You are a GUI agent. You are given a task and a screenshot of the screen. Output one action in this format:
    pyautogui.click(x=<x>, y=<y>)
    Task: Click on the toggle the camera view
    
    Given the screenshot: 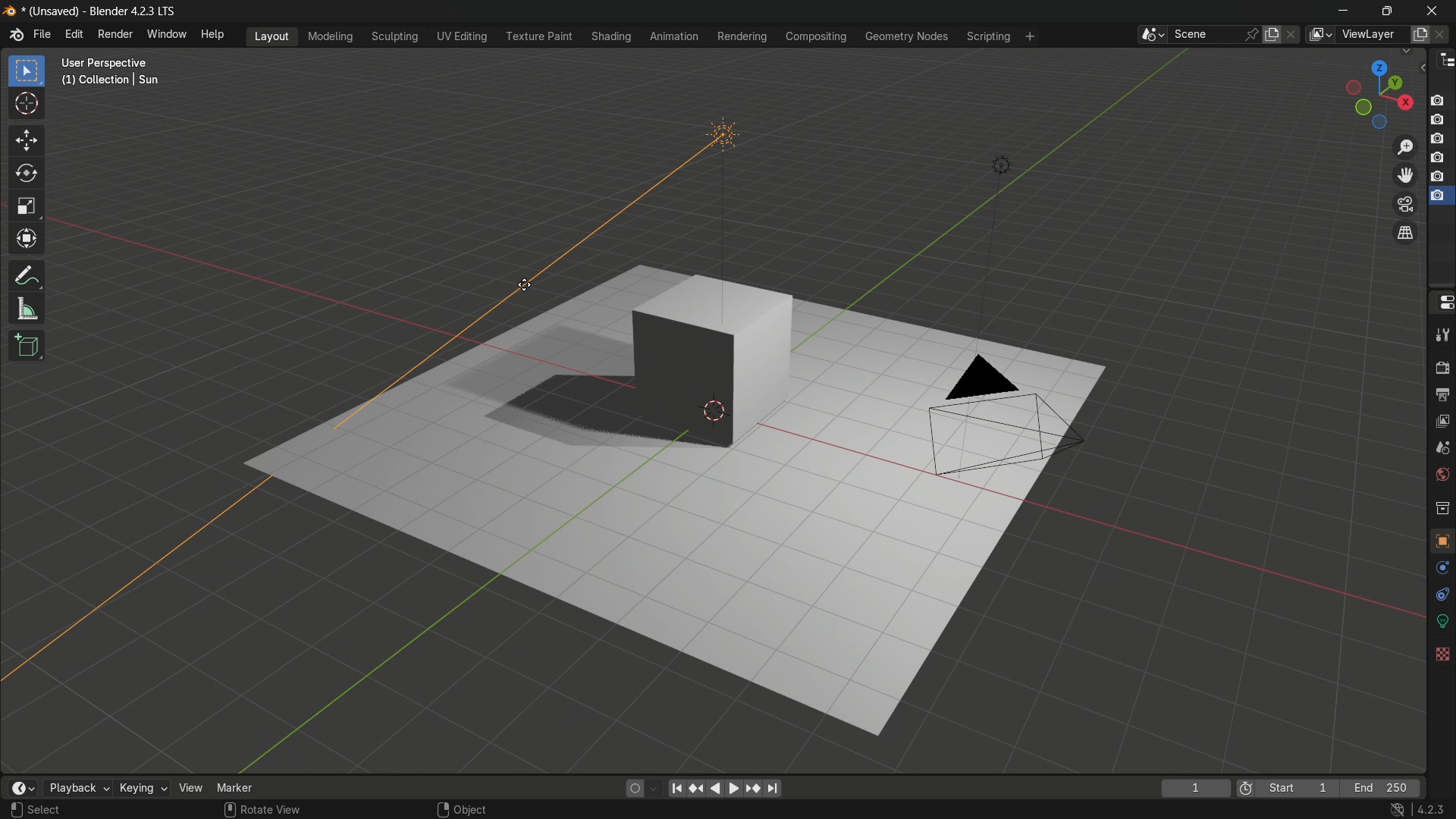 What is the action you would take?
    pyautogui.click(x=1406, y=205)
    